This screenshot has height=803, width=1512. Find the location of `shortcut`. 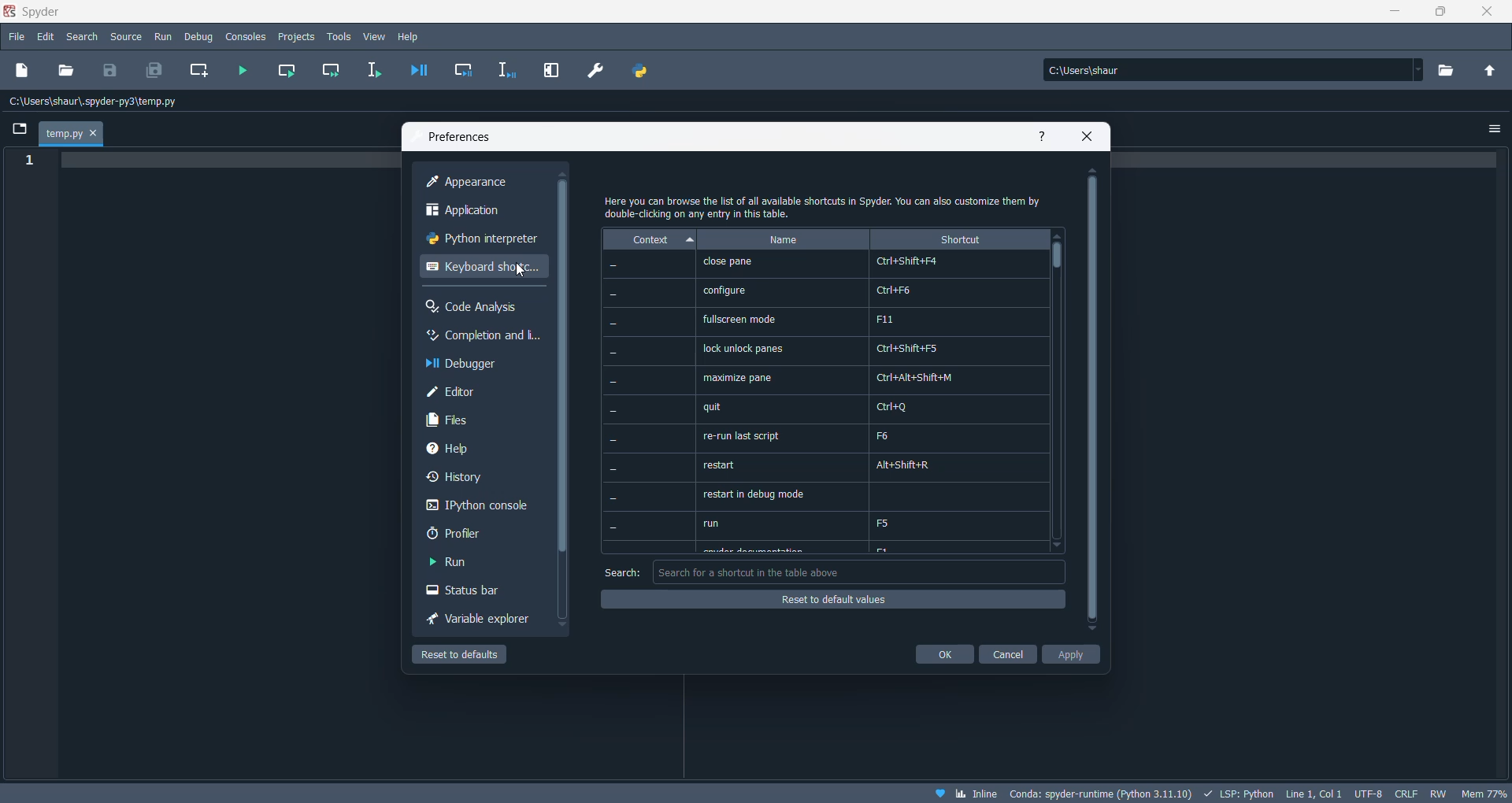

shortcut is located at coordinates (962, 239).